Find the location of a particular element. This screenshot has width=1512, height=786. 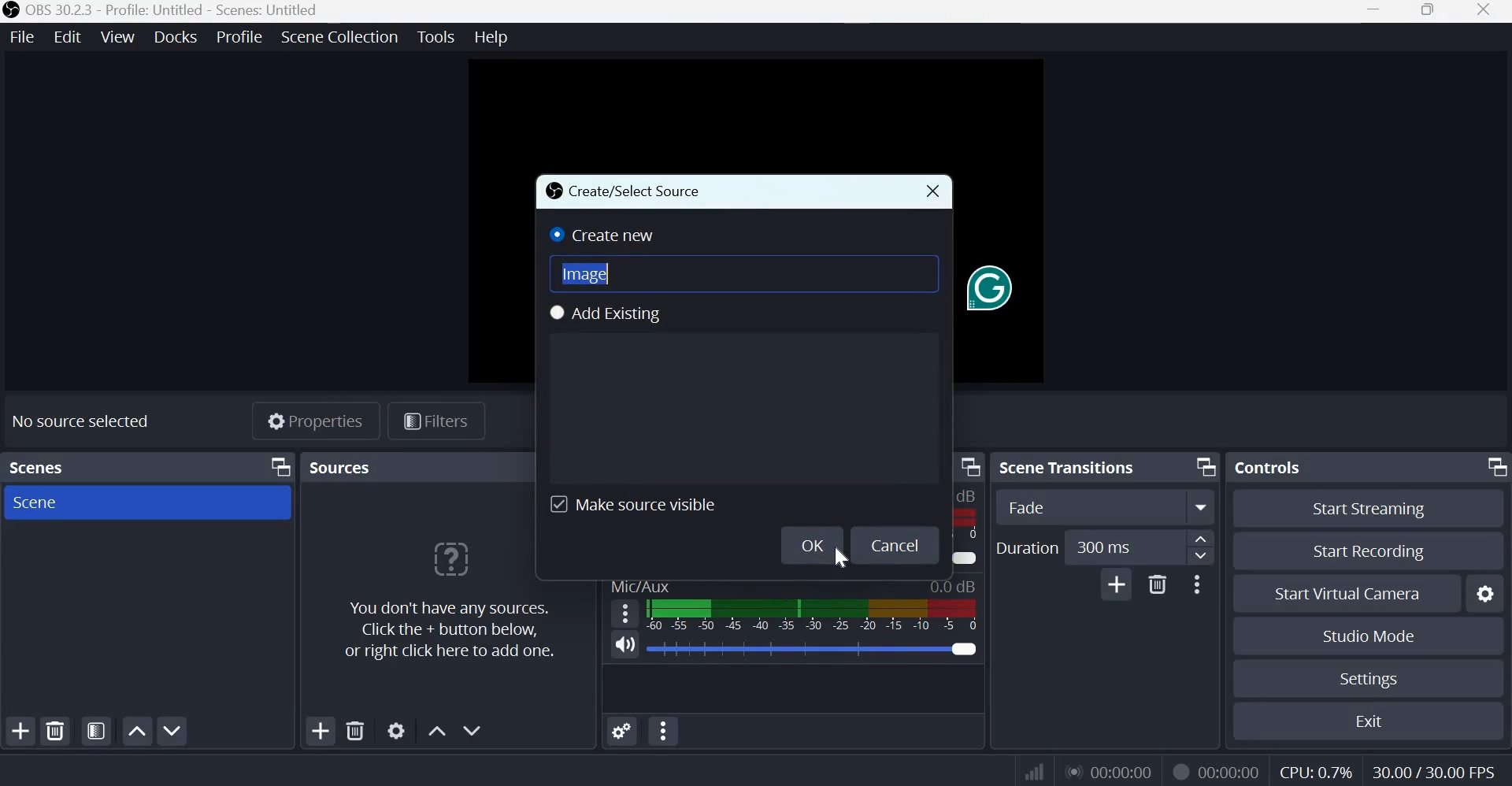

Image is located at coordinates (589, 274).